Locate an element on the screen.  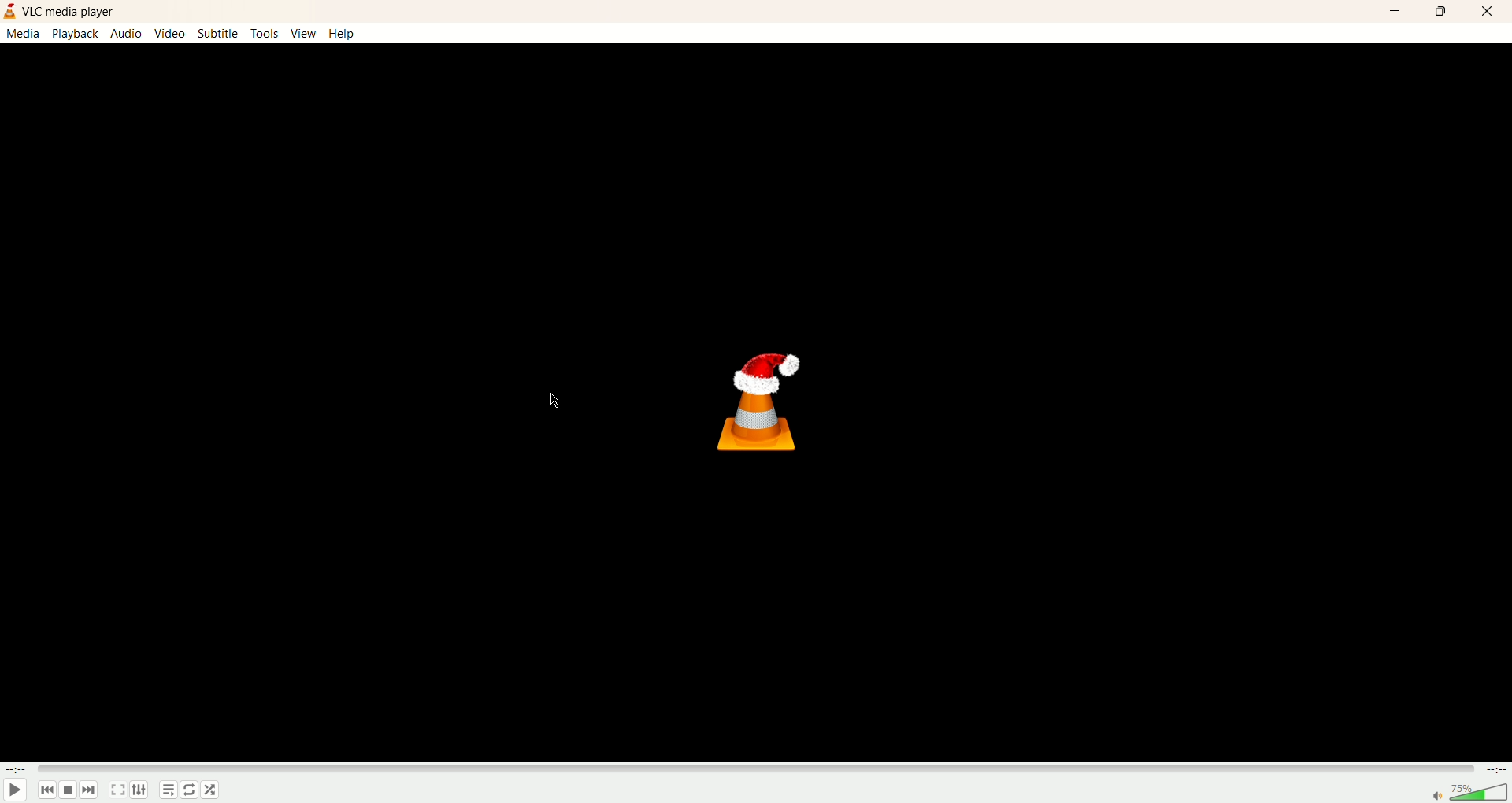
media is located at coordinates (25, 34).